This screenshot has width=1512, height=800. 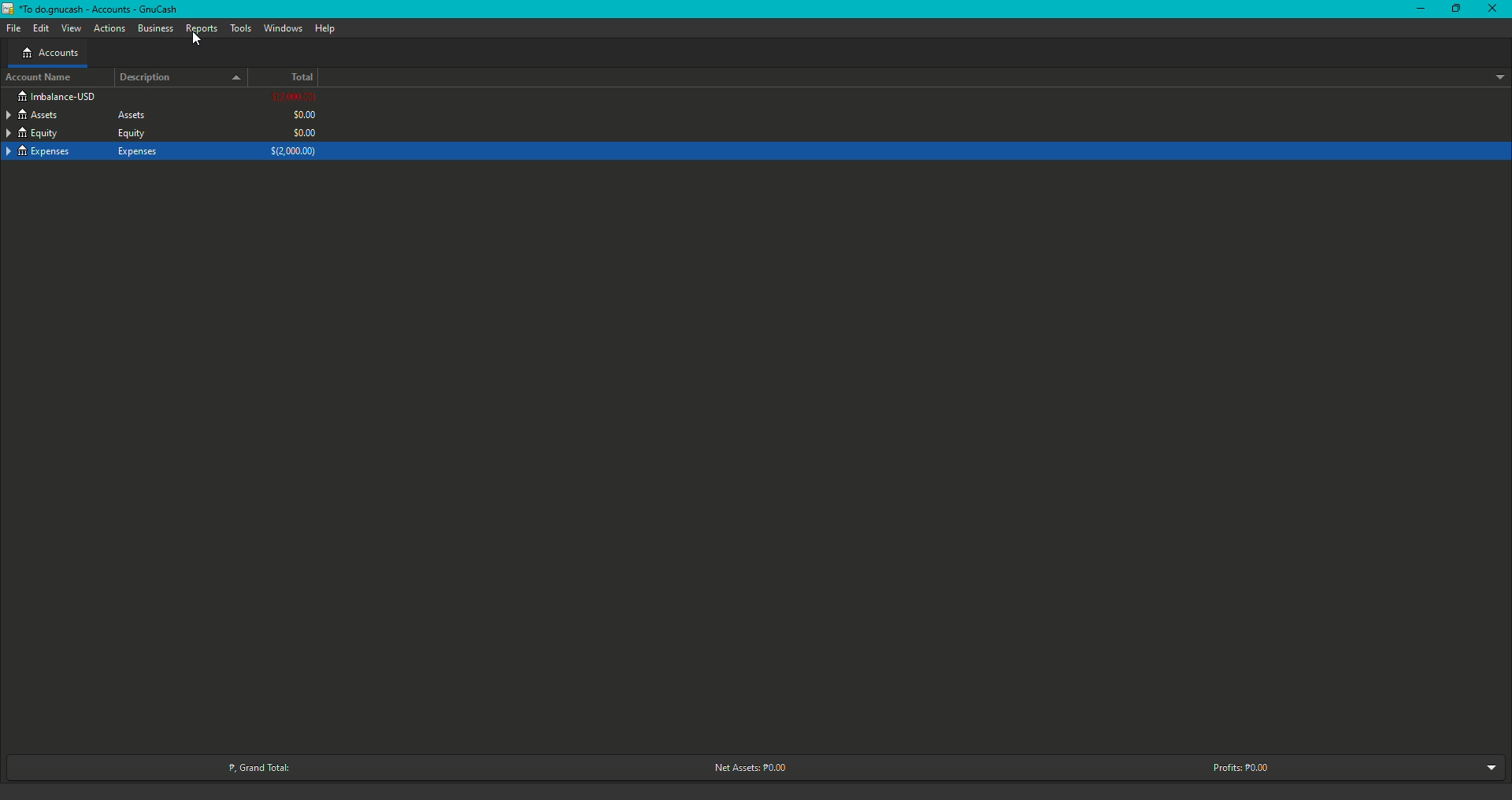 I want to click on Window, so click(x=281, y=29).